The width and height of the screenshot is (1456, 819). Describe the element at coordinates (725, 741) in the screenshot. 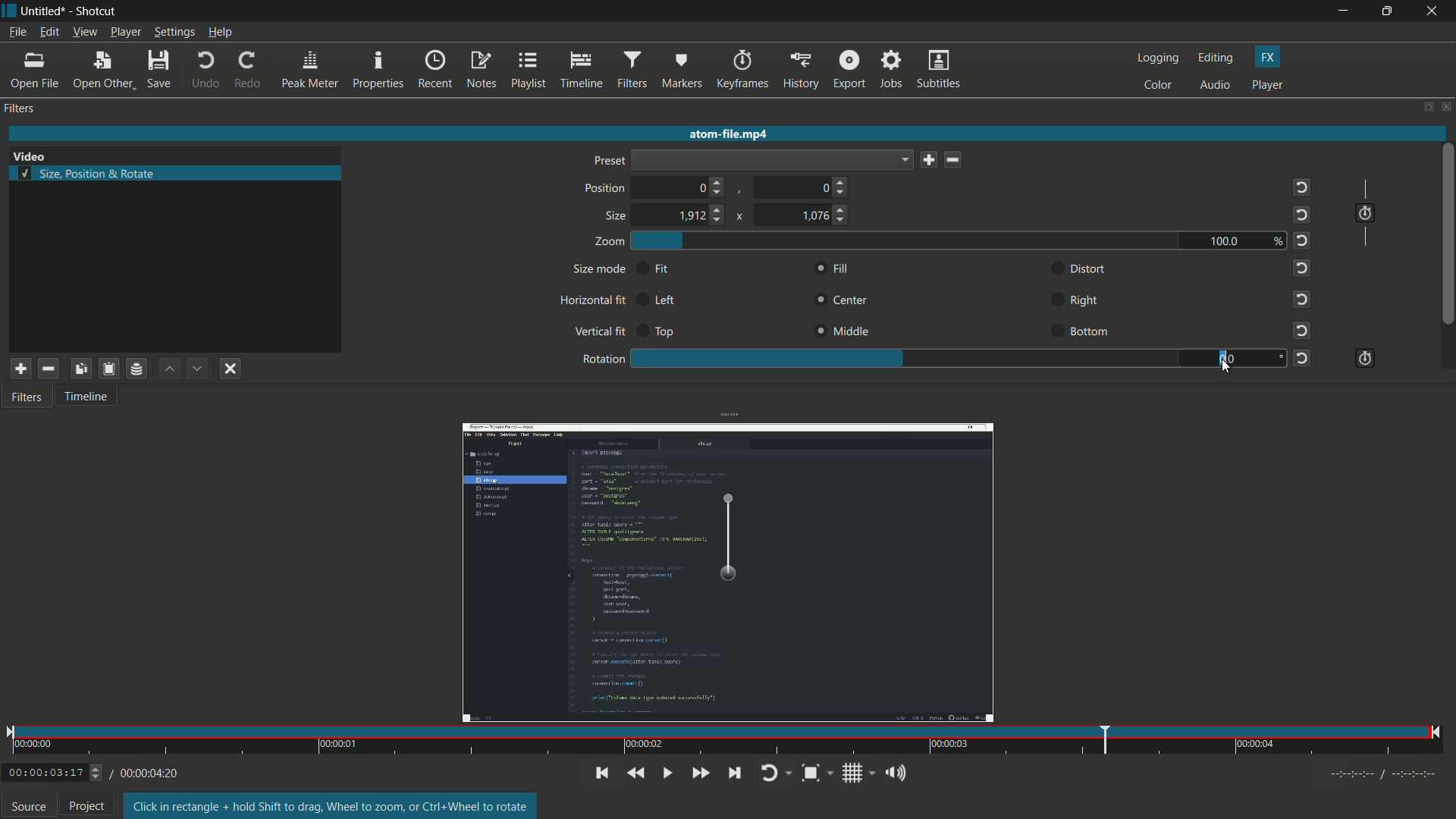

I see `time and position` at that location.